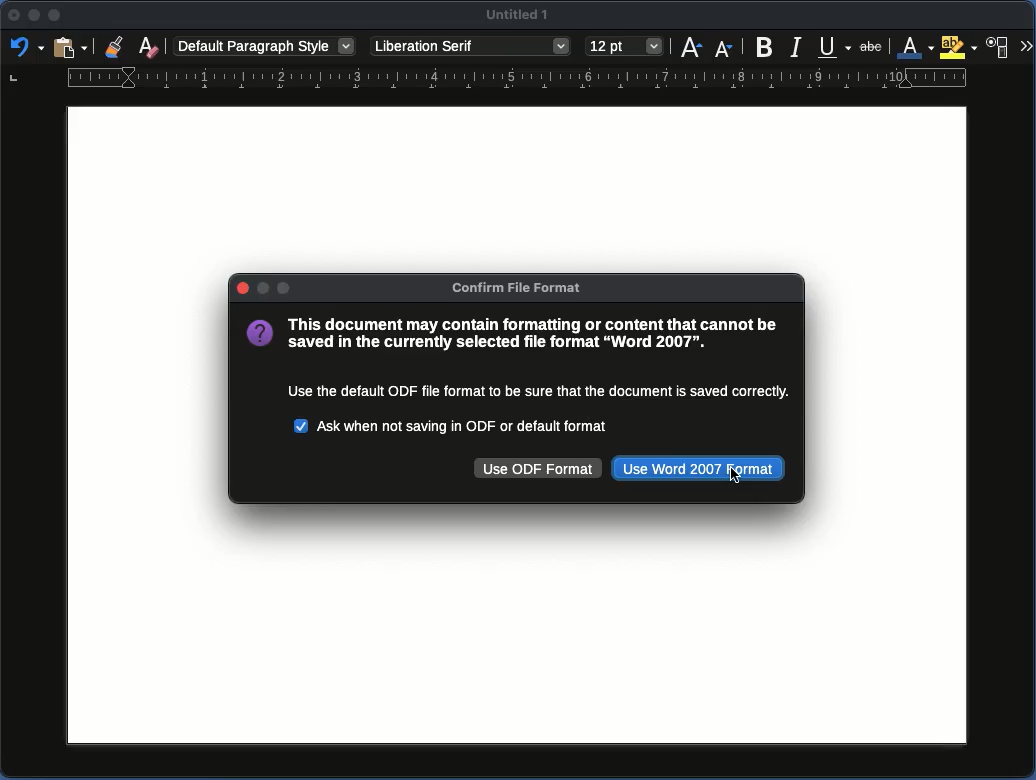 This screenshot has height=780, width=1036. What do you see at coordinates (56, 16) in the screenshot?
I see `Minimize` at bounding box center [56, 16].